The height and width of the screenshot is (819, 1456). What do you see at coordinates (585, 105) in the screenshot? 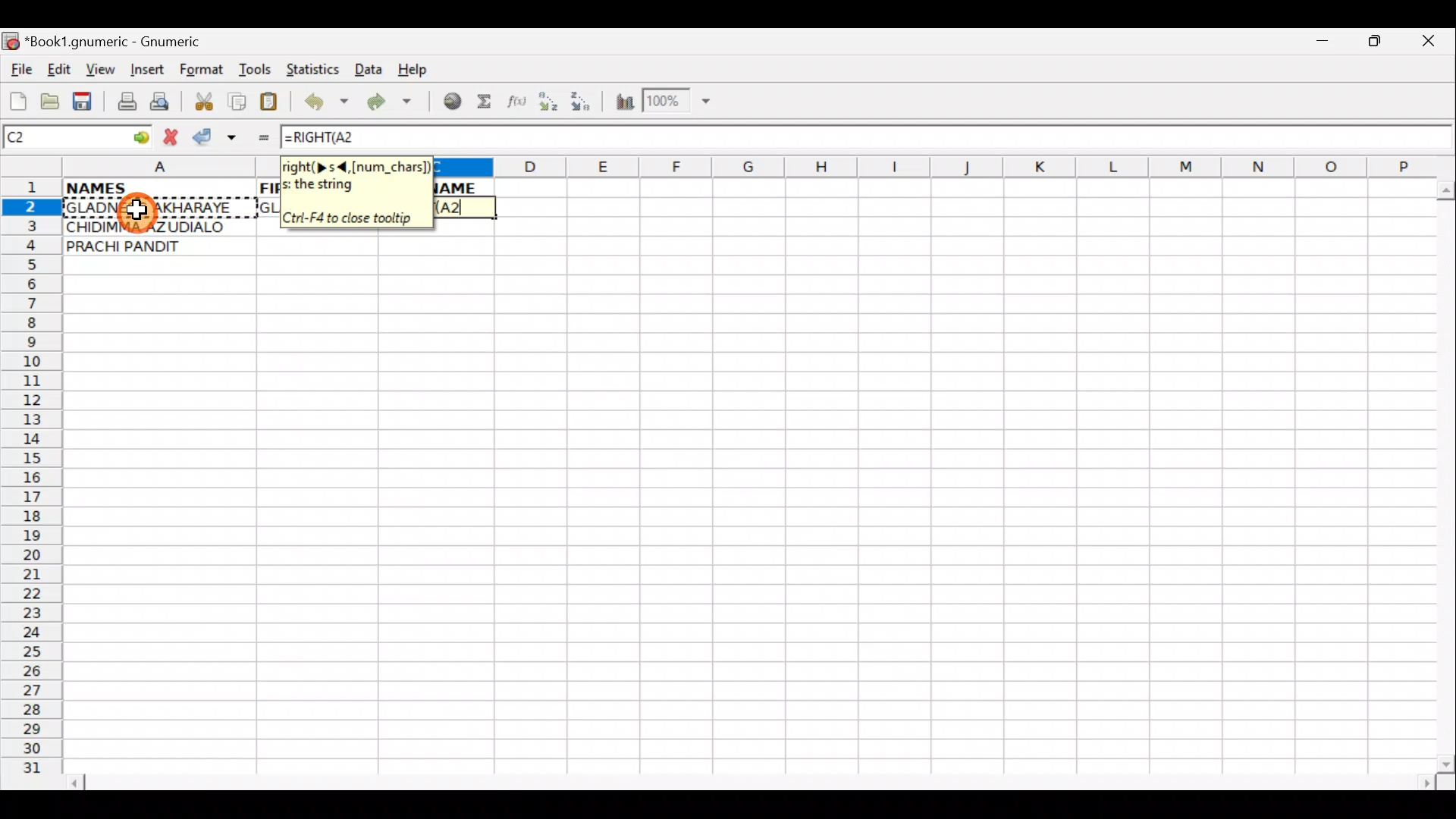
I see `Sort Descending order` at bounding box center [585, 105].